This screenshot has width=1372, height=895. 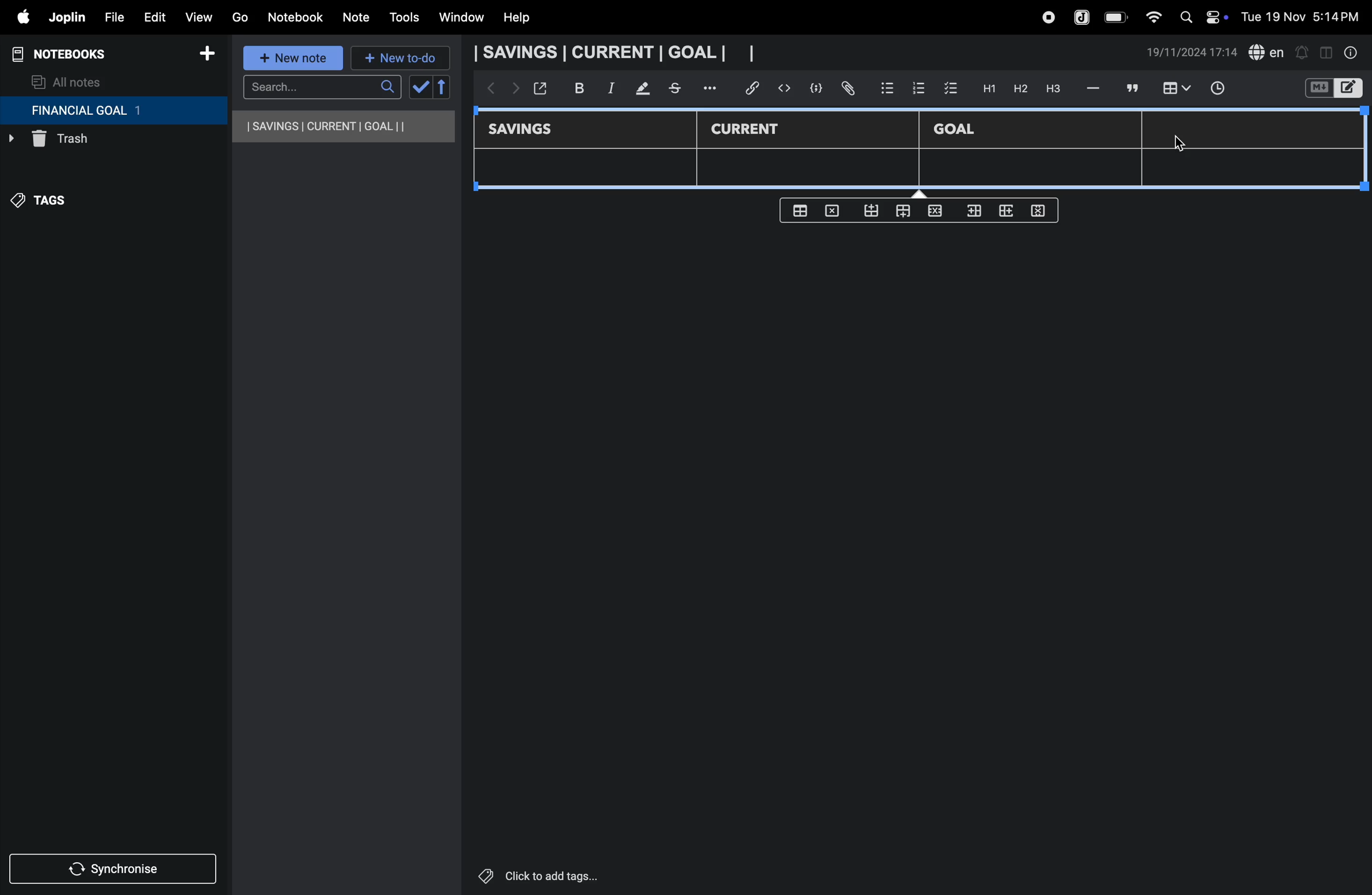 What do you see at coordinates (113, 111) in the screenshot?
I see `financial goal` at bounding box center [113, 111].